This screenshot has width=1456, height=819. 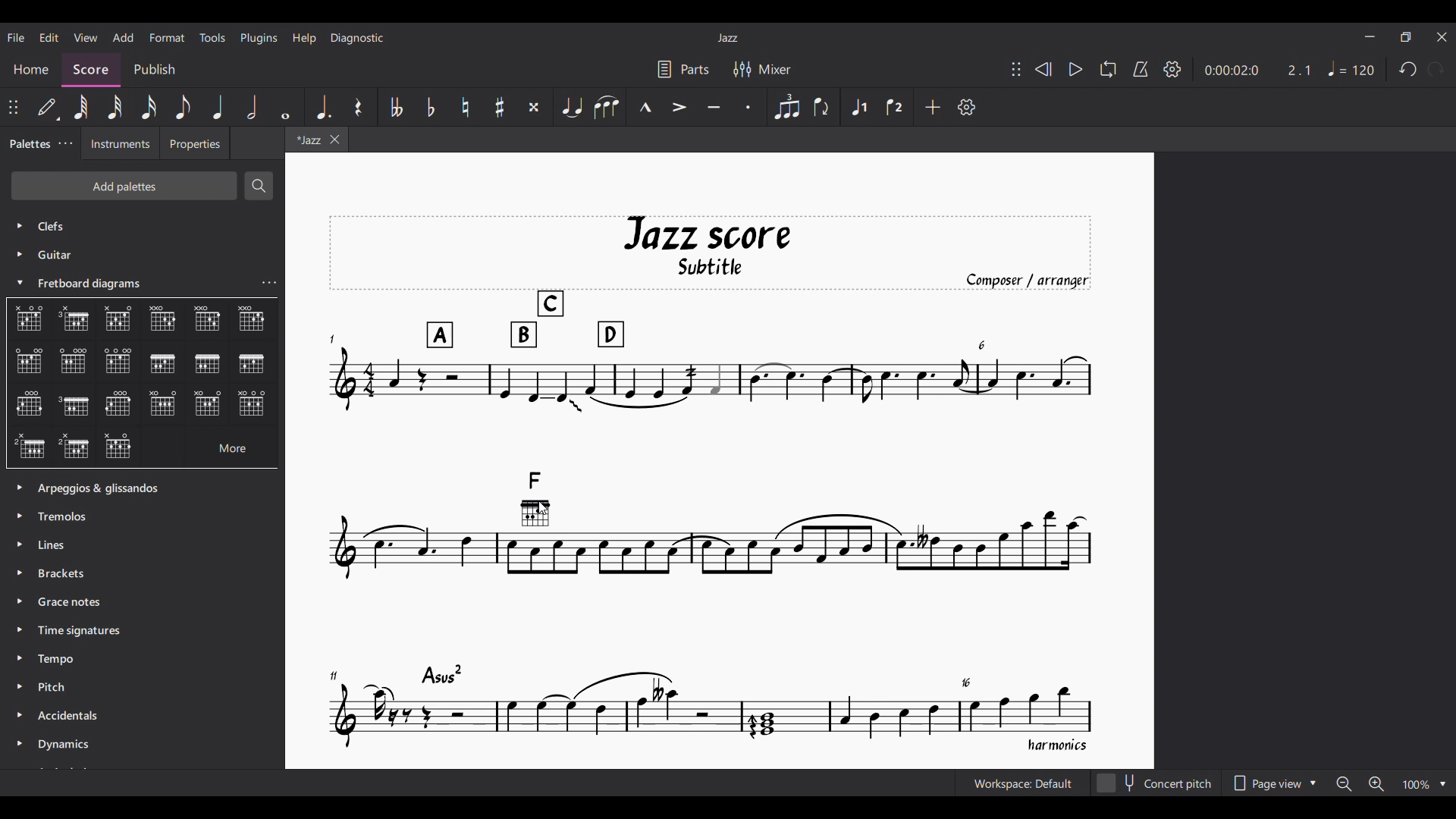 I want to click on Palettes, current selection, so click(x=28, y=146).